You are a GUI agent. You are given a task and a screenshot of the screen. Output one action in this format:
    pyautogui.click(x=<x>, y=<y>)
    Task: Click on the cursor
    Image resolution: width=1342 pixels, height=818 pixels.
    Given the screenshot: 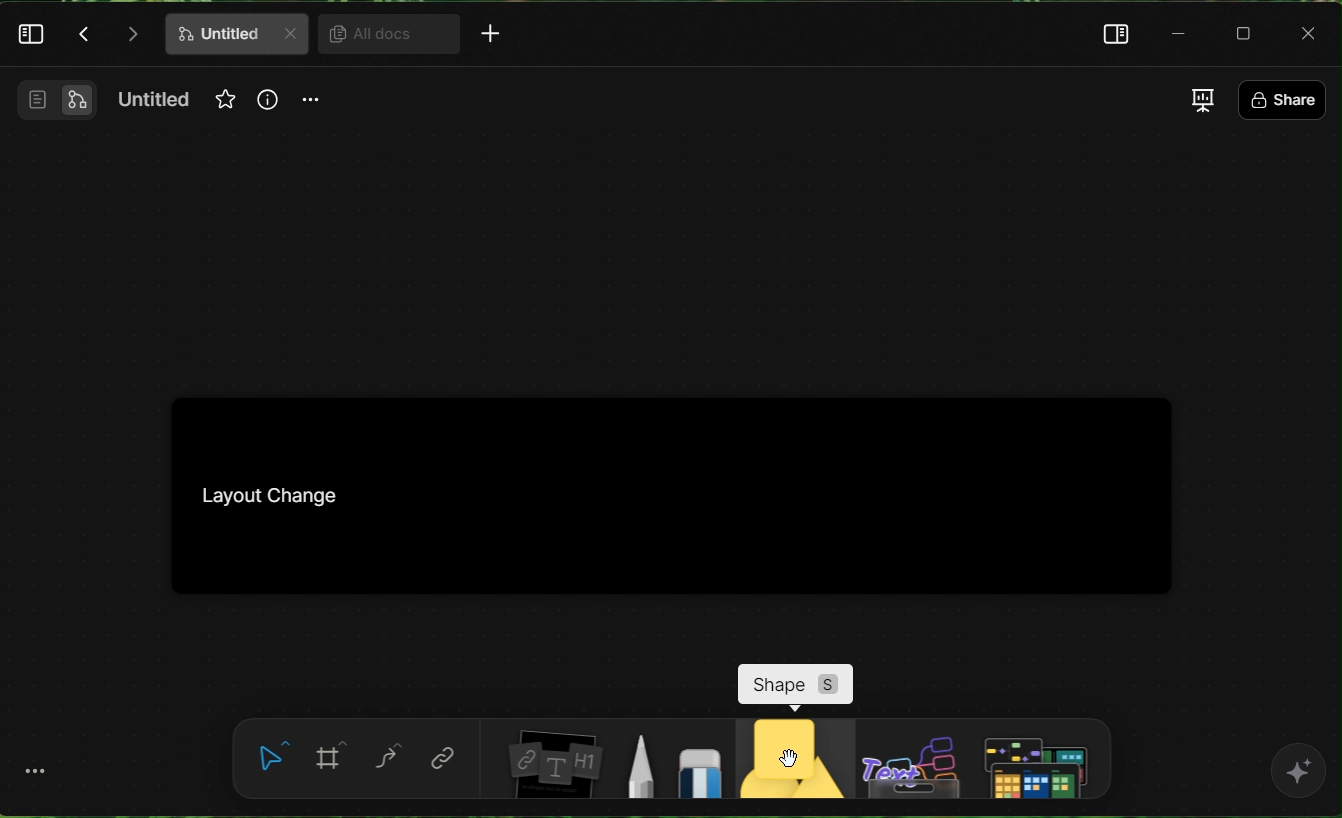 What is the action you would take?
    pyautogui.click(x=790, y=758)
    